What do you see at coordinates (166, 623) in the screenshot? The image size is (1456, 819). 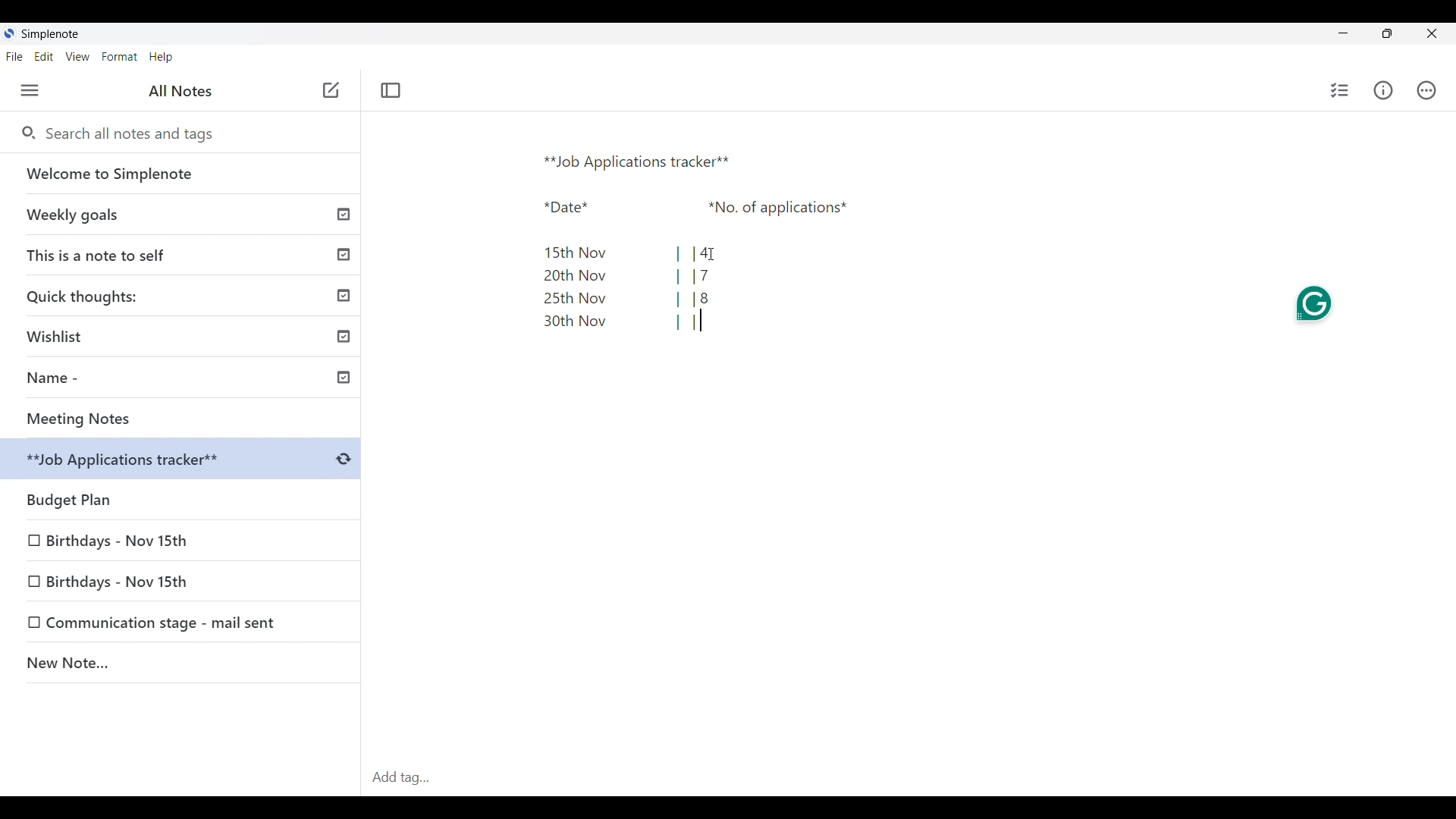 I see `Communication stage - mail sent` at bounding box center [166, 623].